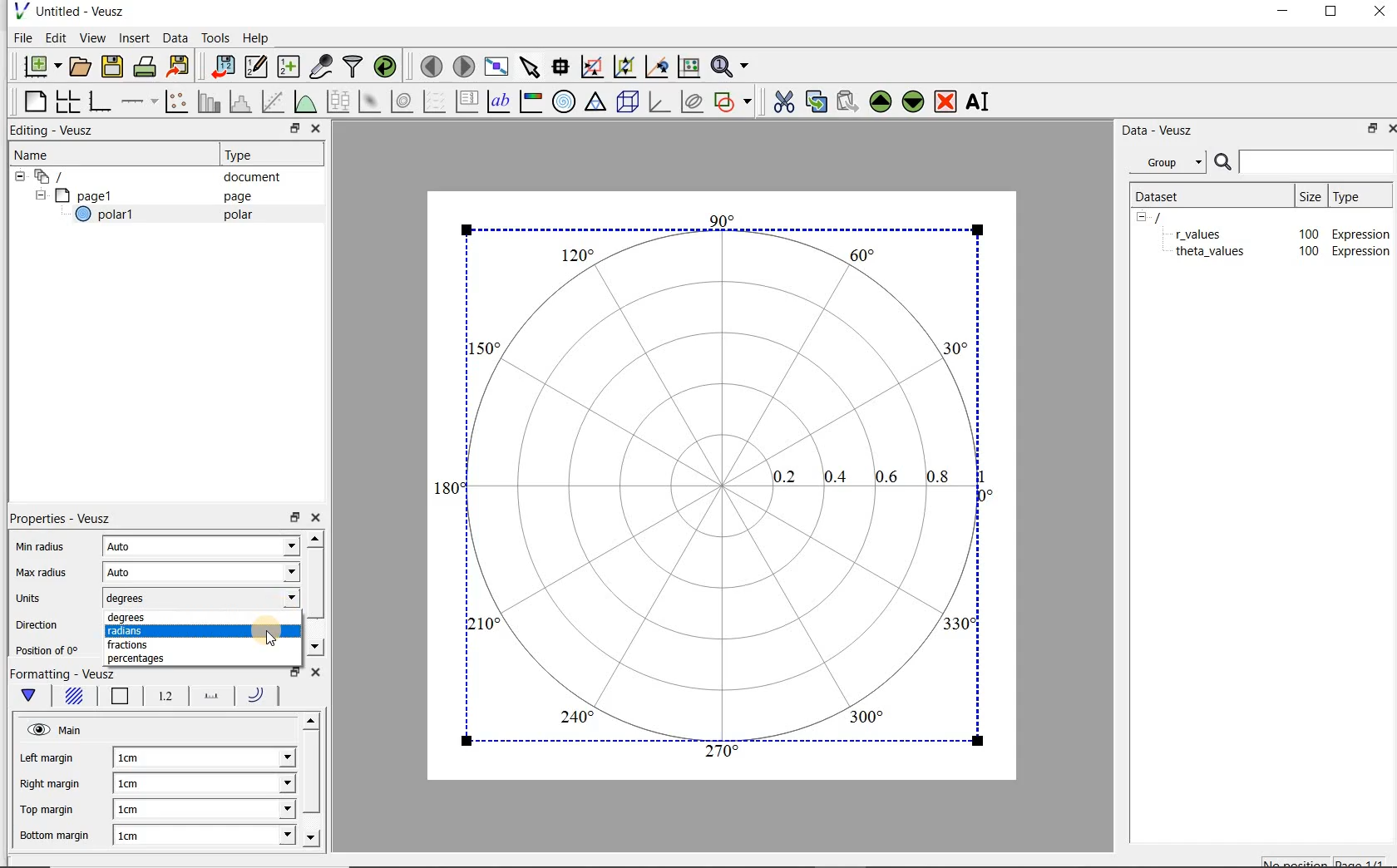  Describe the element at coordinates (1358, 195) in the screenshot. I see `Type` at that location.